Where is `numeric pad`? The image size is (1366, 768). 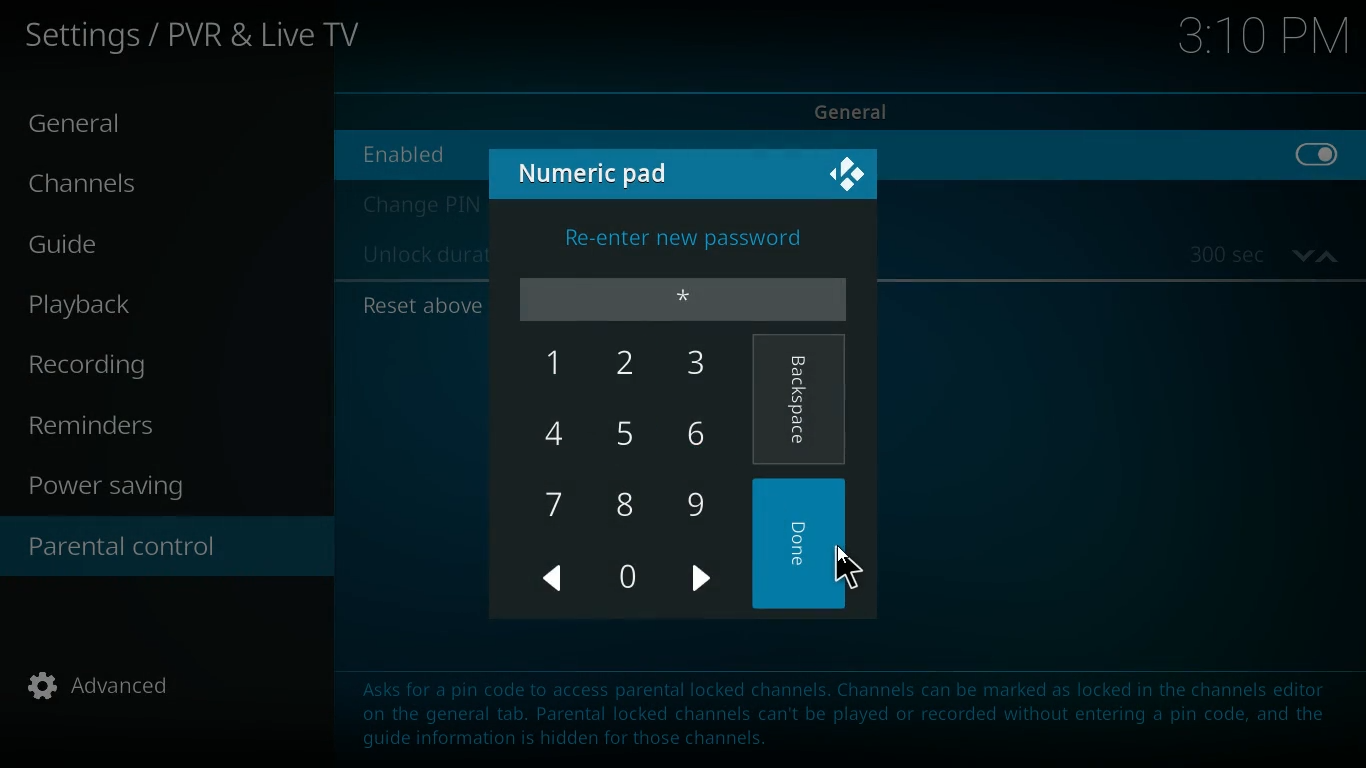 numeric pad is located at coordinates (602, 172).